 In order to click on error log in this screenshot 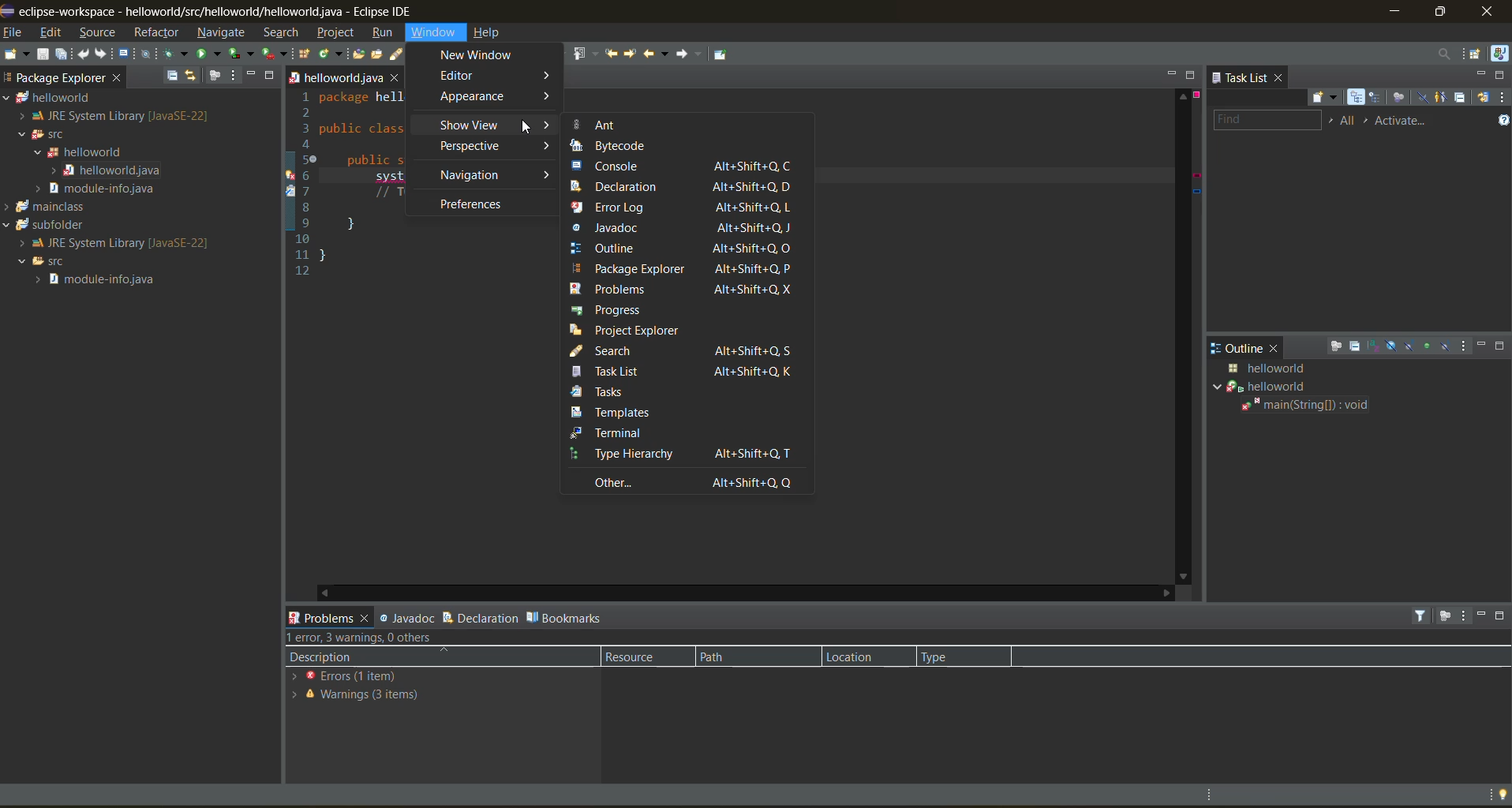, I will do `click(690, 205)`.